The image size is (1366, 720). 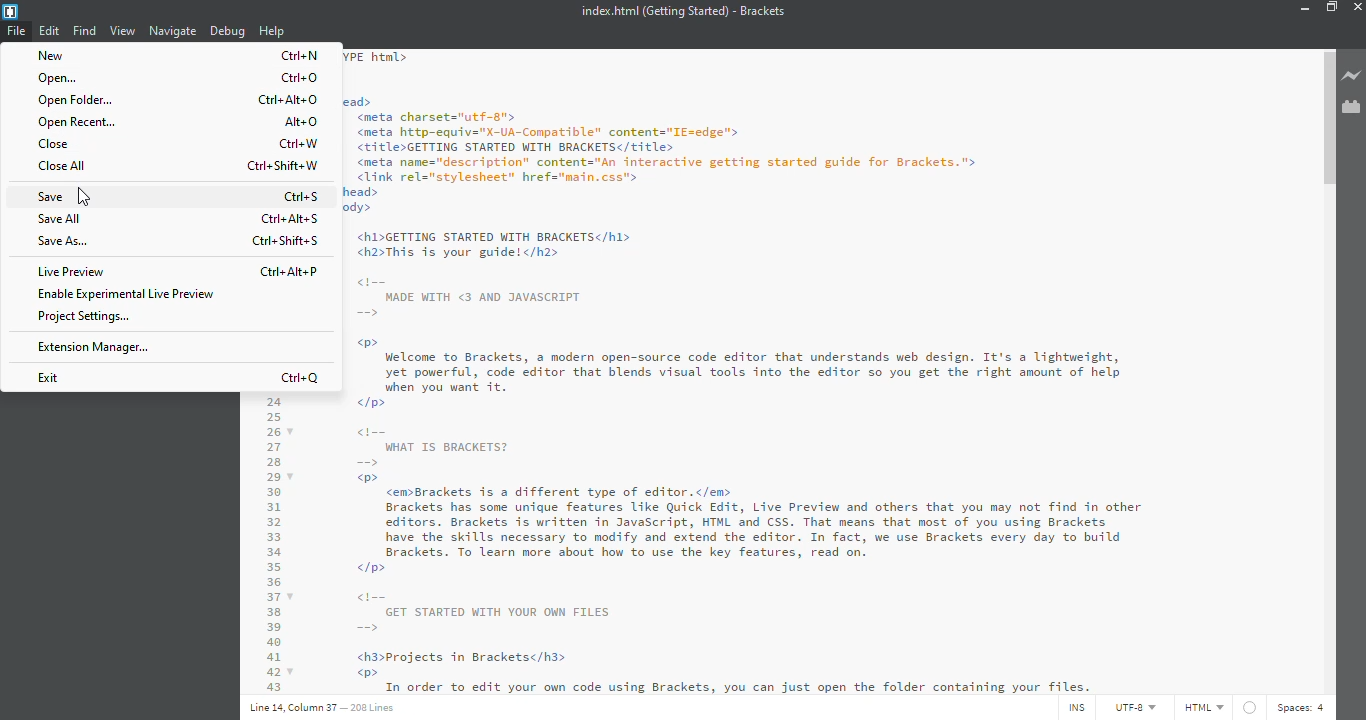 I want to click on file, so click(x=16, y=32).